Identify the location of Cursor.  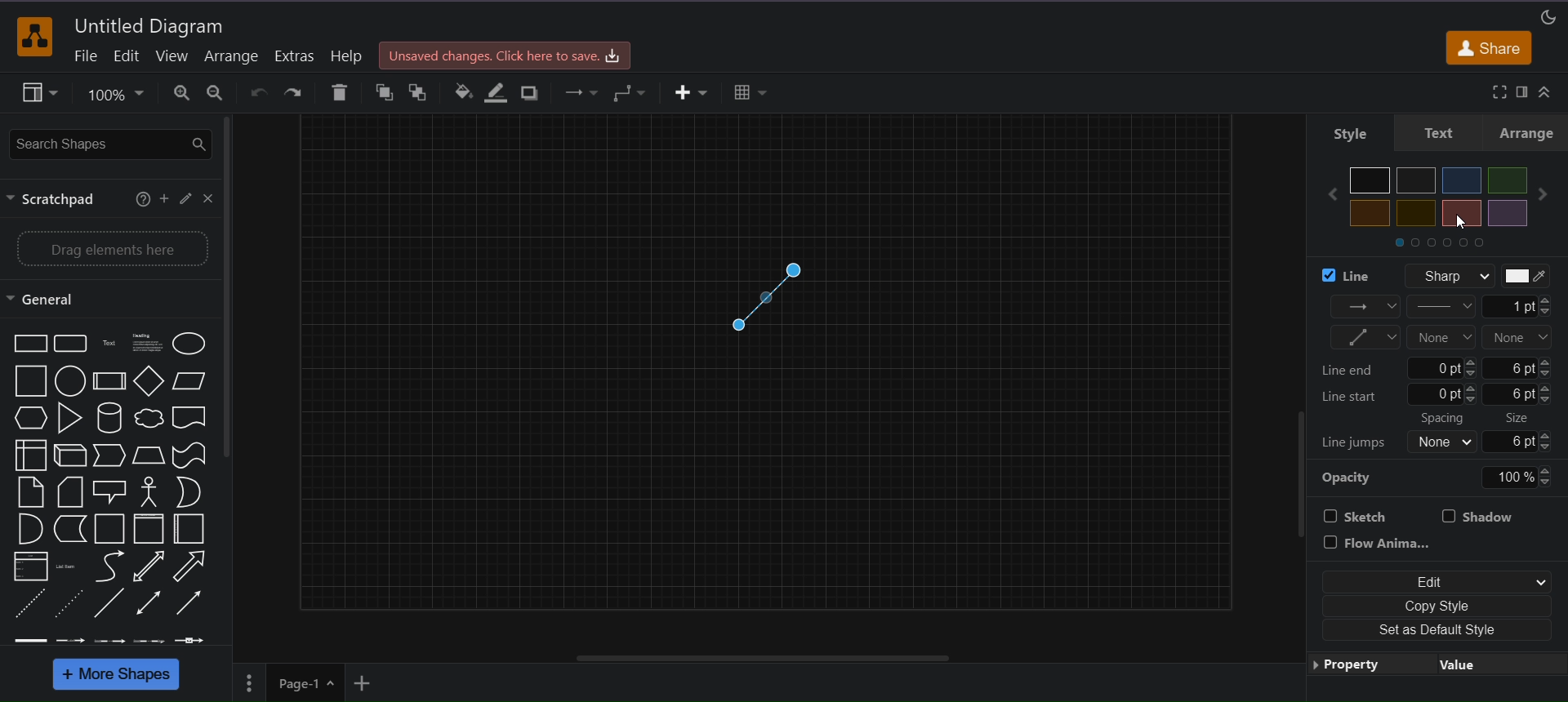
(1458, 222).